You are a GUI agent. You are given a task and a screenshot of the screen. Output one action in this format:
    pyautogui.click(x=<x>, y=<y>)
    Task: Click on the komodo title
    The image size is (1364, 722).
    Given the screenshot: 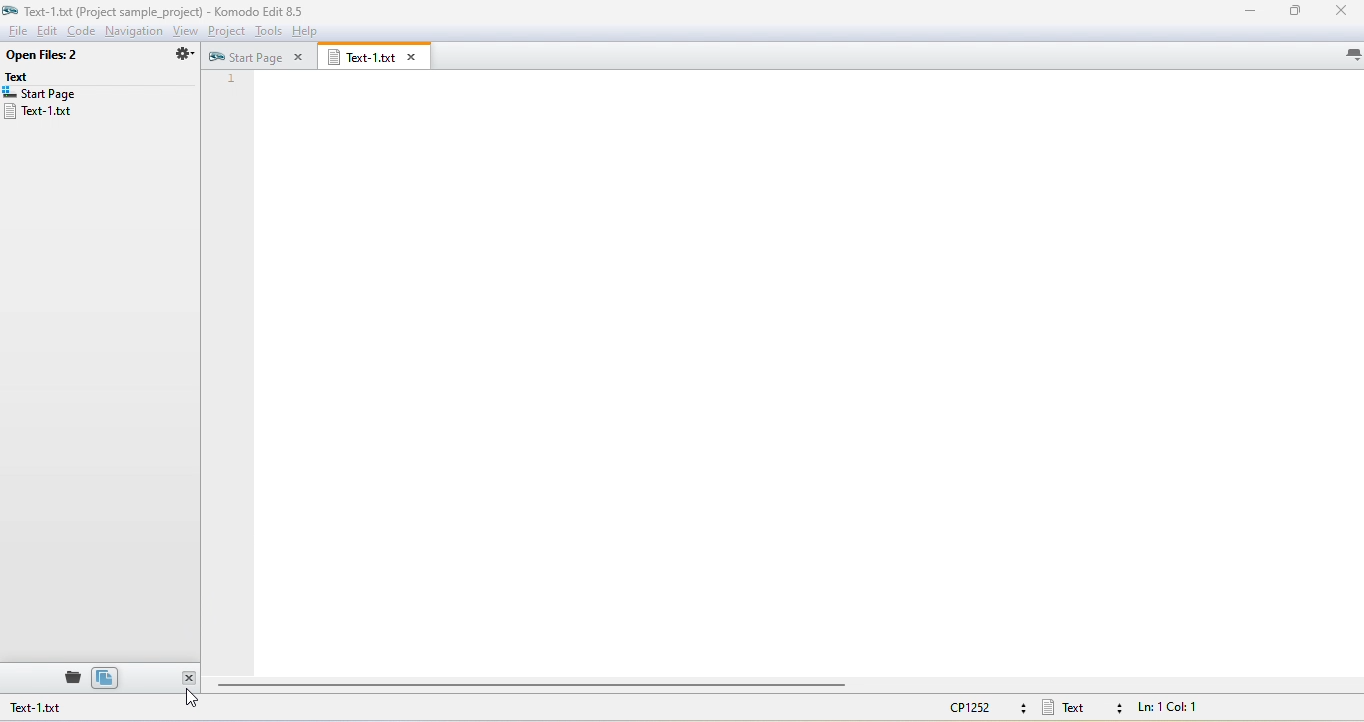 What is the action you would take?
    pyautogui.click(x=269, y=10)
    